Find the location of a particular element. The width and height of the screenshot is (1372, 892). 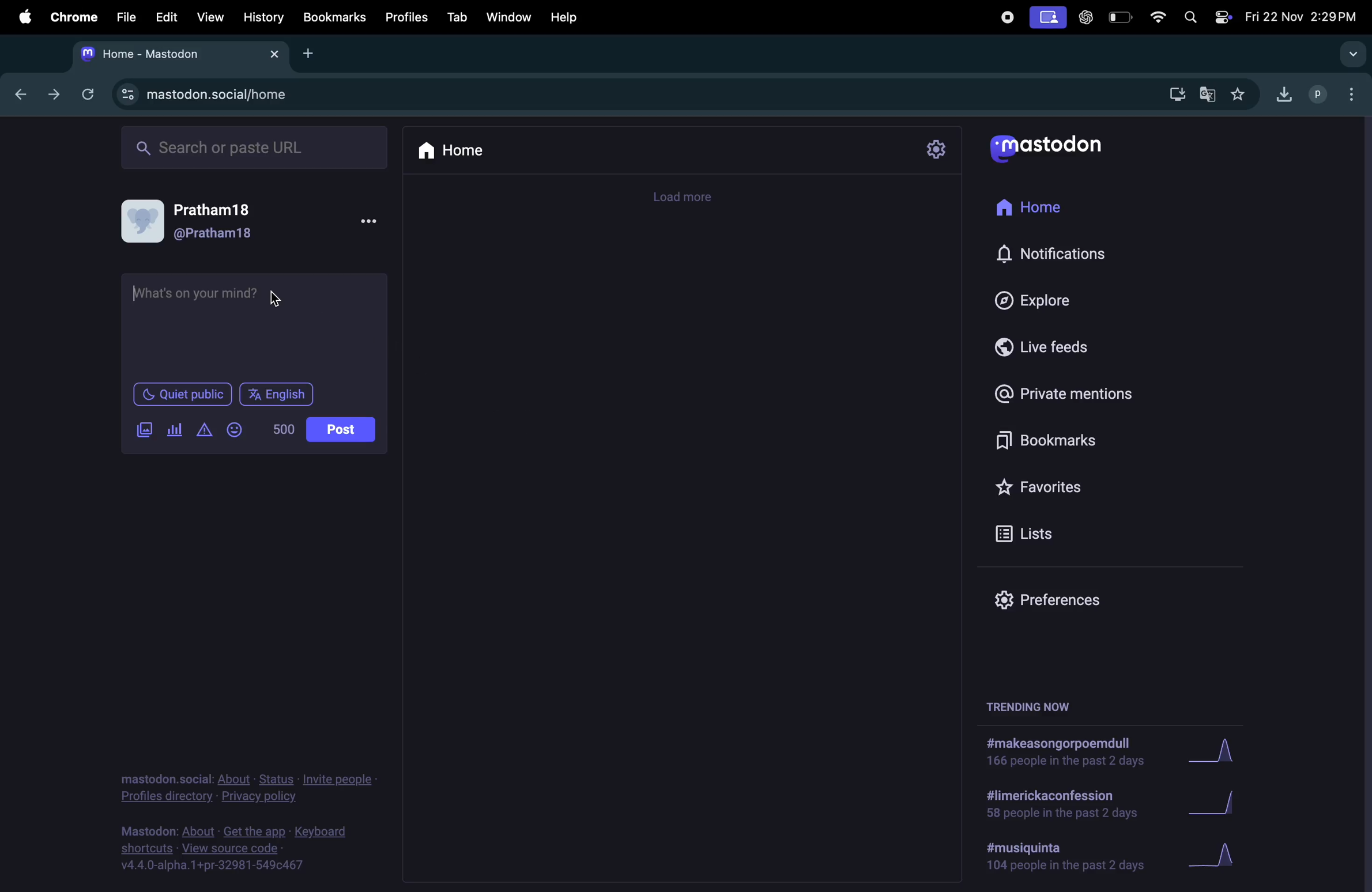

options is located at coordinates (1351, 96).